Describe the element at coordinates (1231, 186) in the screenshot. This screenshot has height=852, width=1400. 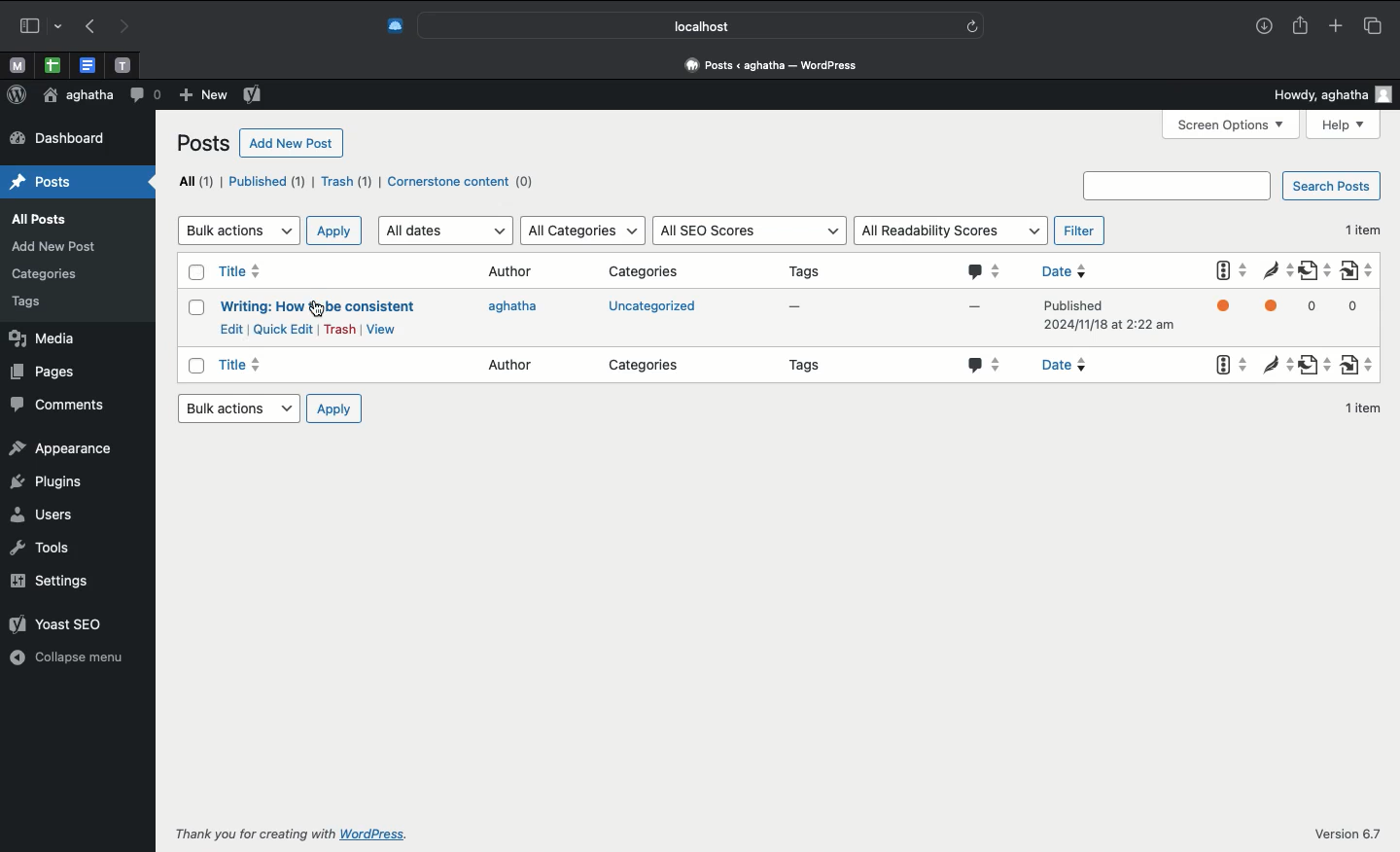
I see `Search posts` at that location.